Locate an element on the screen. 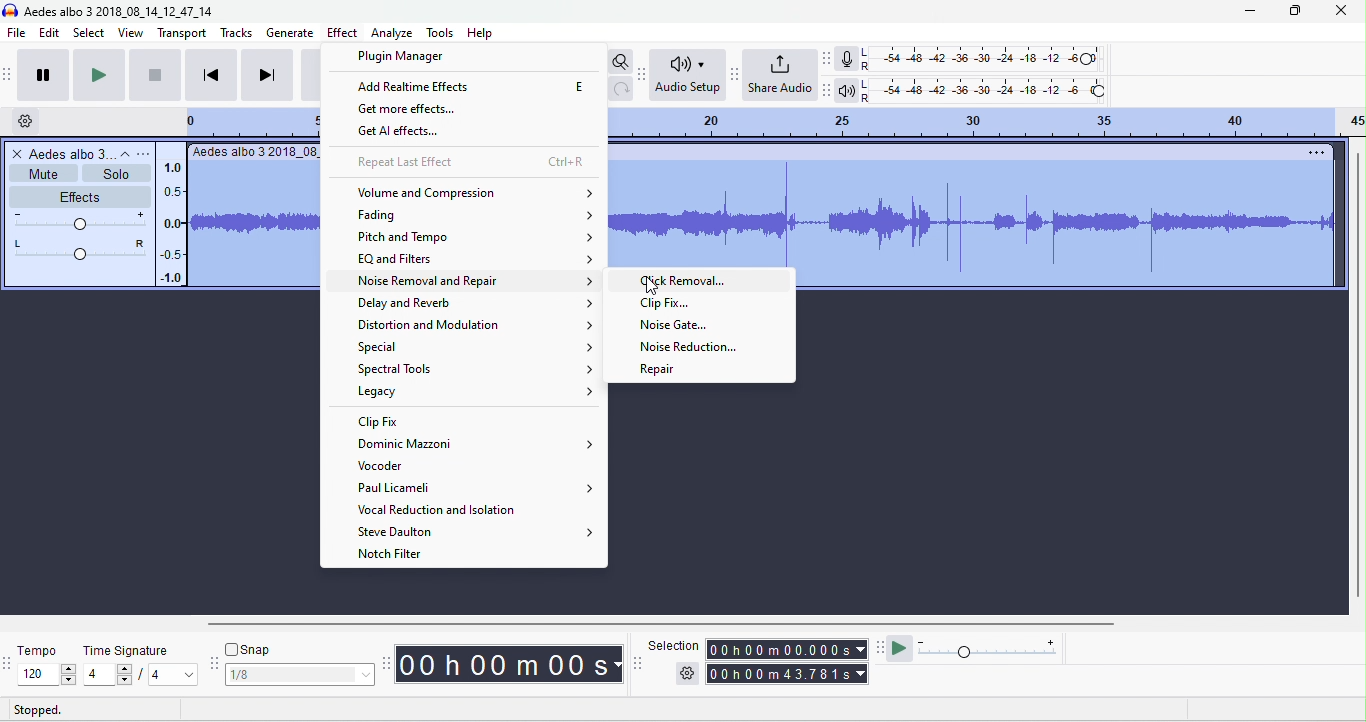  share audio toolbar is located at coordinates (735, 74).